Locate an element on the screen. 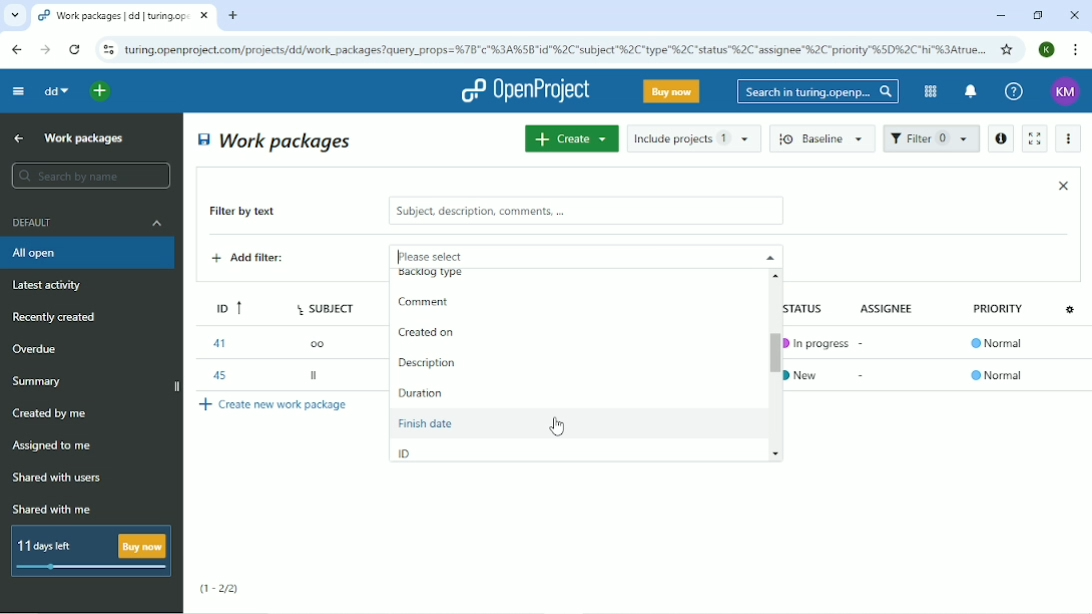 This screenshot has width=1092, height=614. Description is located at coordinates (427, 361).